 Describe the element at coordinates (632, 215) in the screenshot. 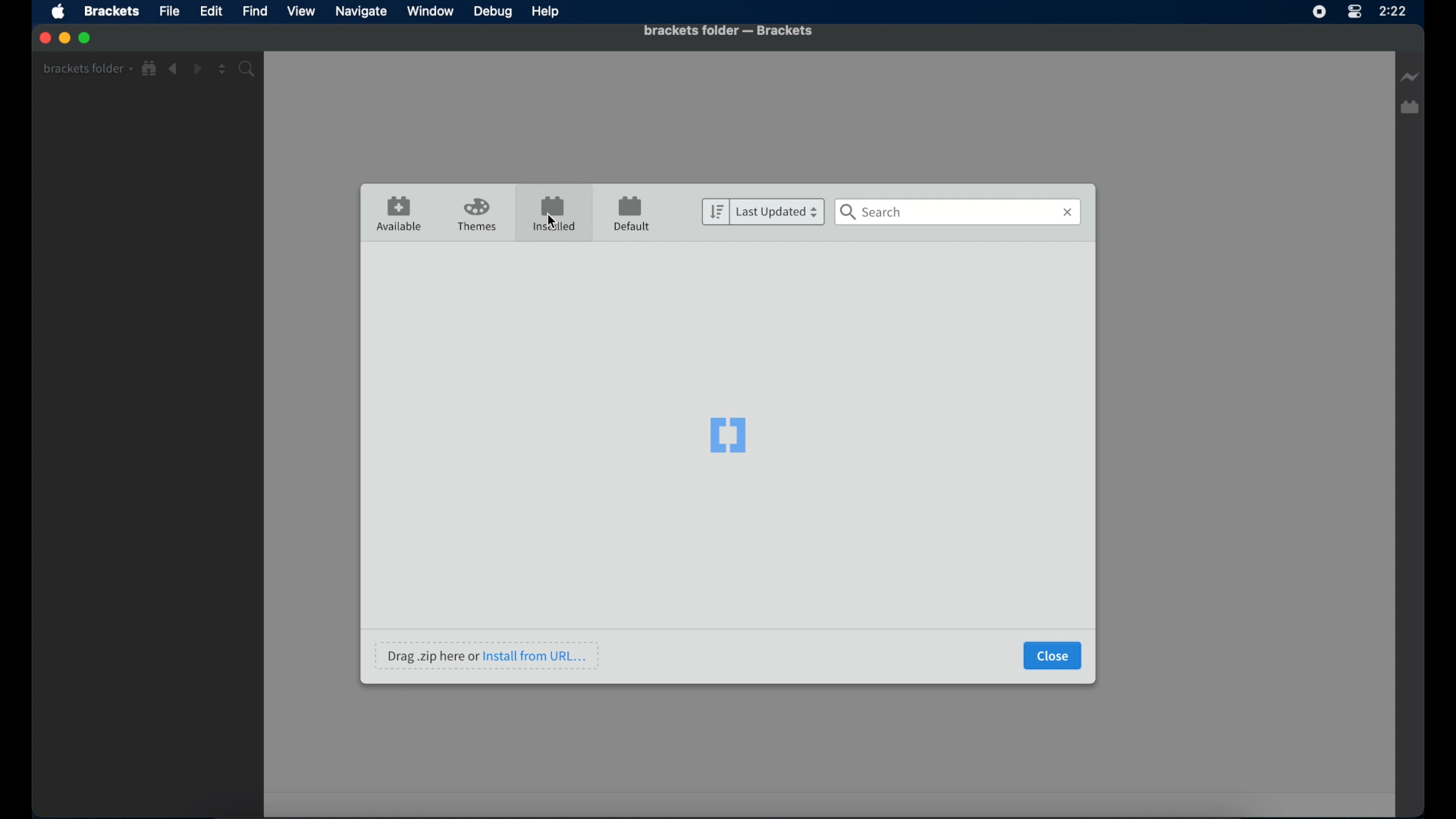

I see `default` at that location.